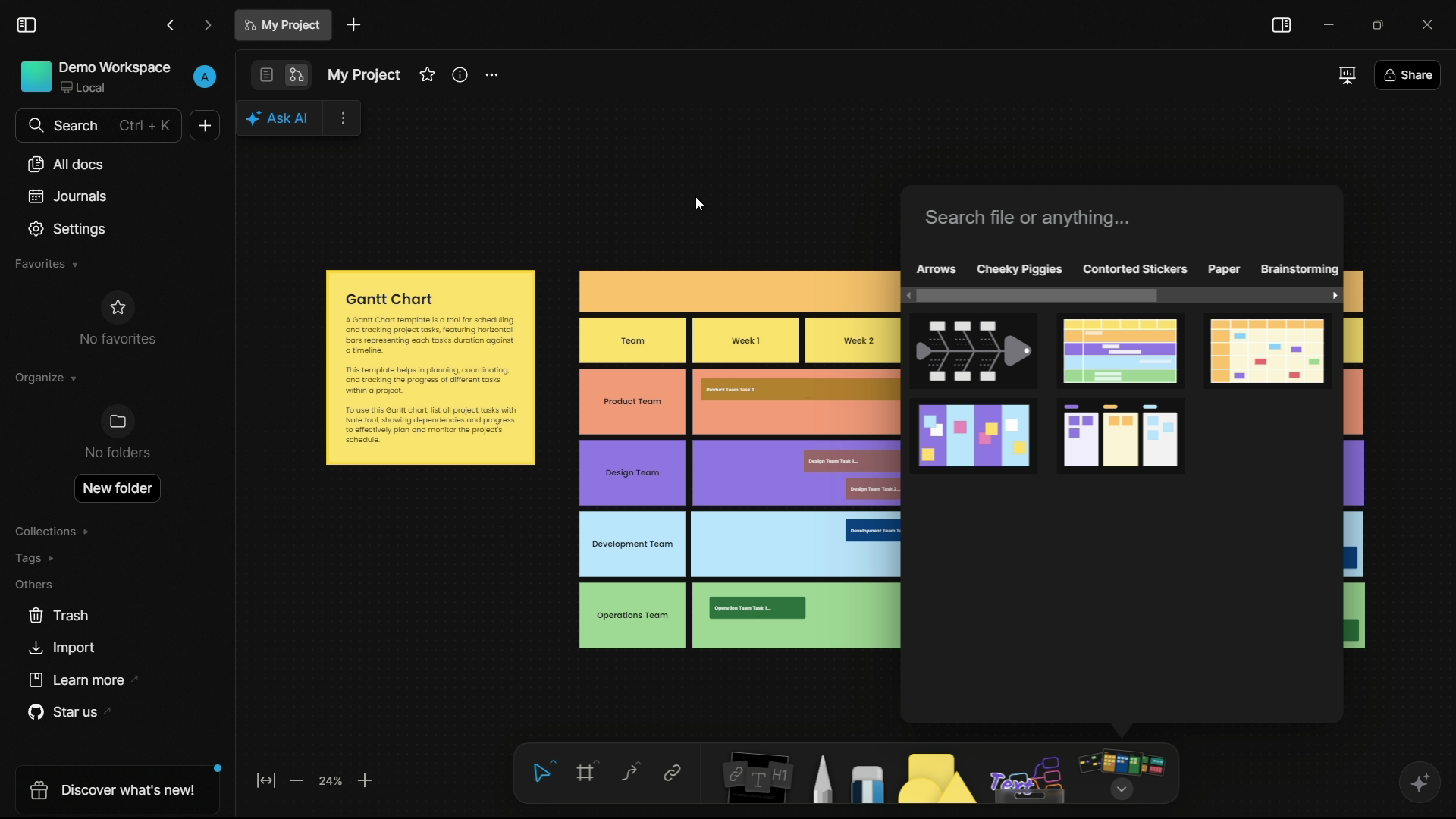  Describe the element at coordinates (342, 119) in the screenshot. I see `More Options` at that location.